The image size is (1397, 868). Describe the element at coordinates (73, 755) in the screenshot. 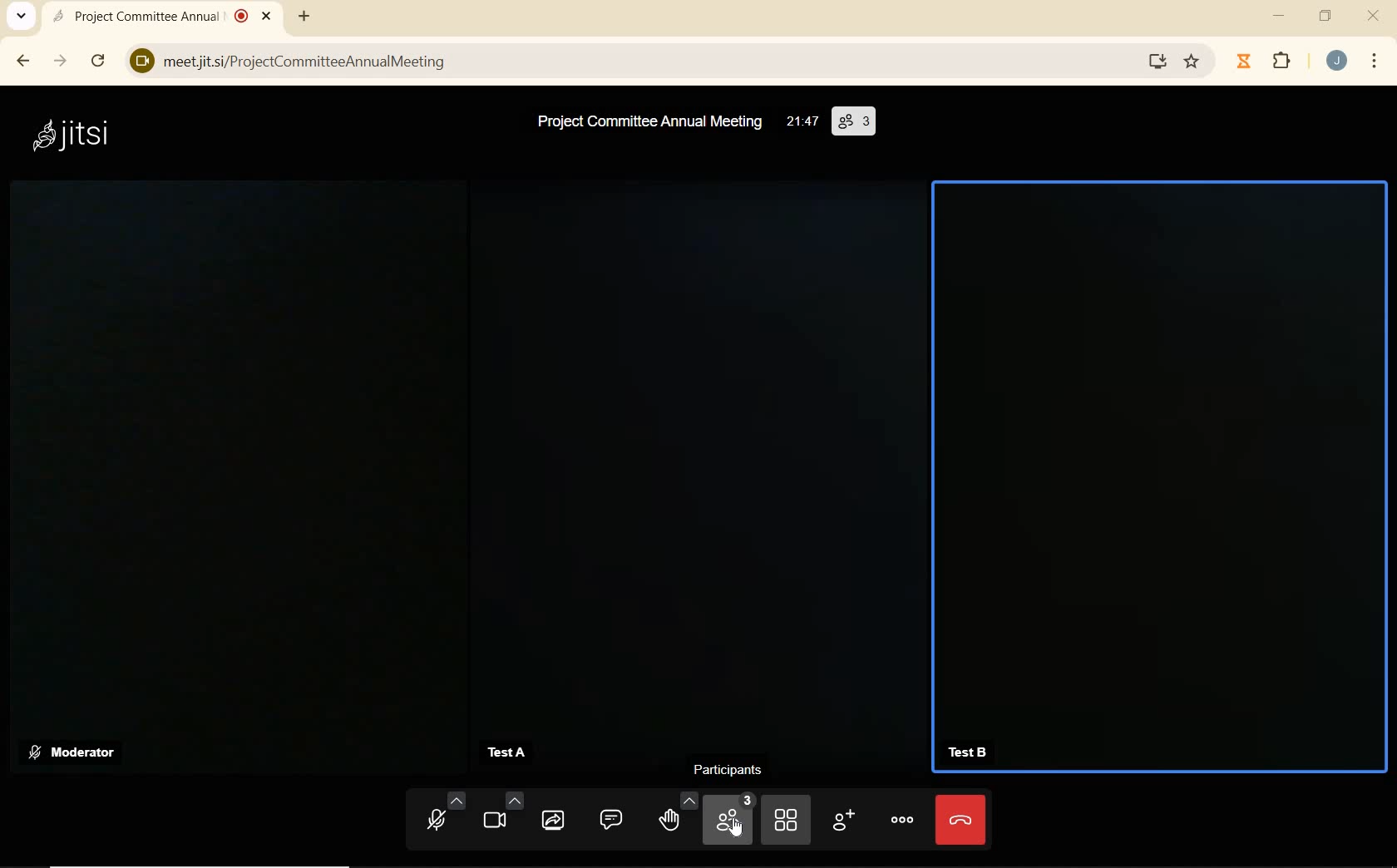

I see `Moderator` at that location.